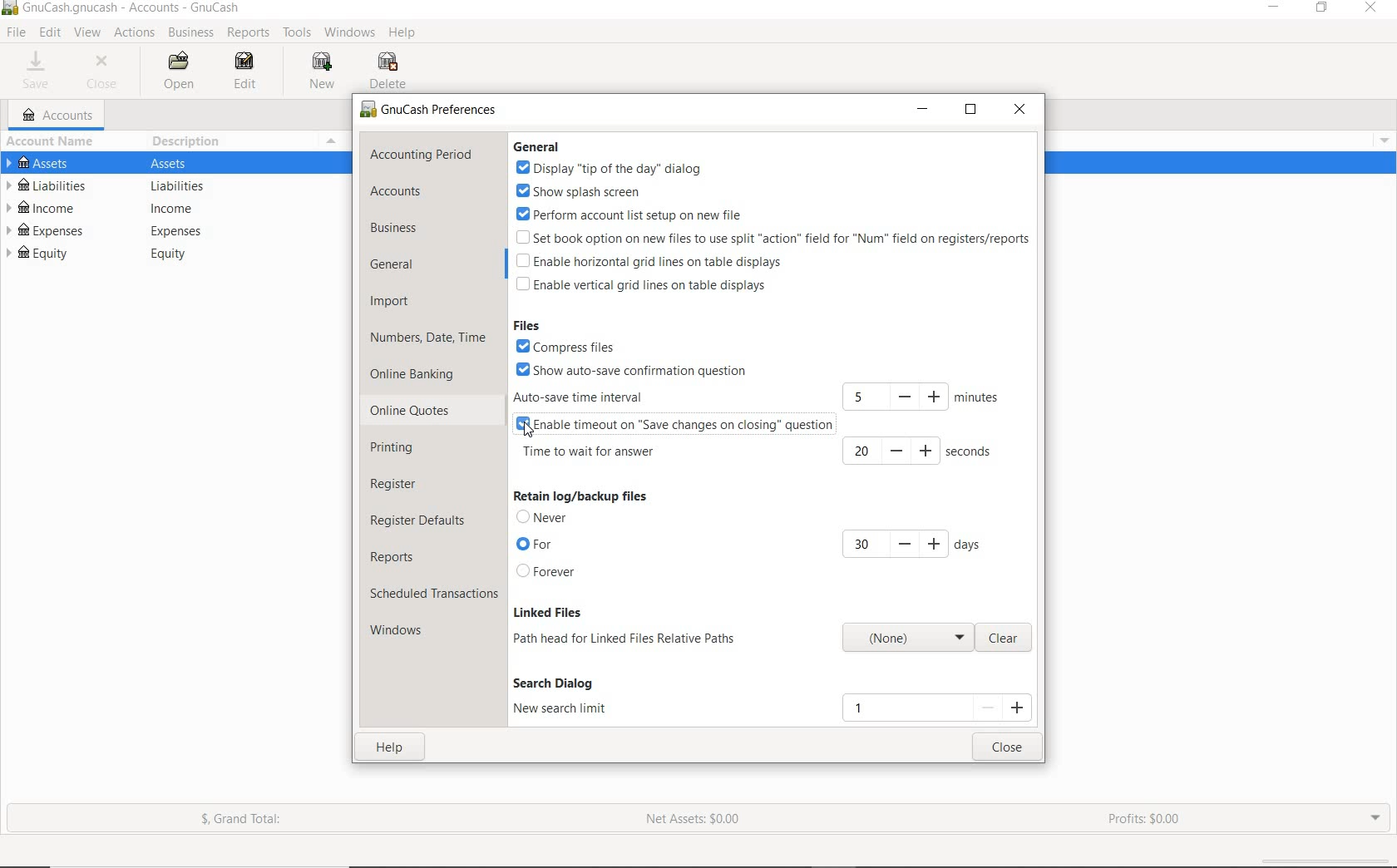  What do you see at coordinates (168, 185) in the screenshot?
I see `LIABILITIES` at bounding box center [168, 185].